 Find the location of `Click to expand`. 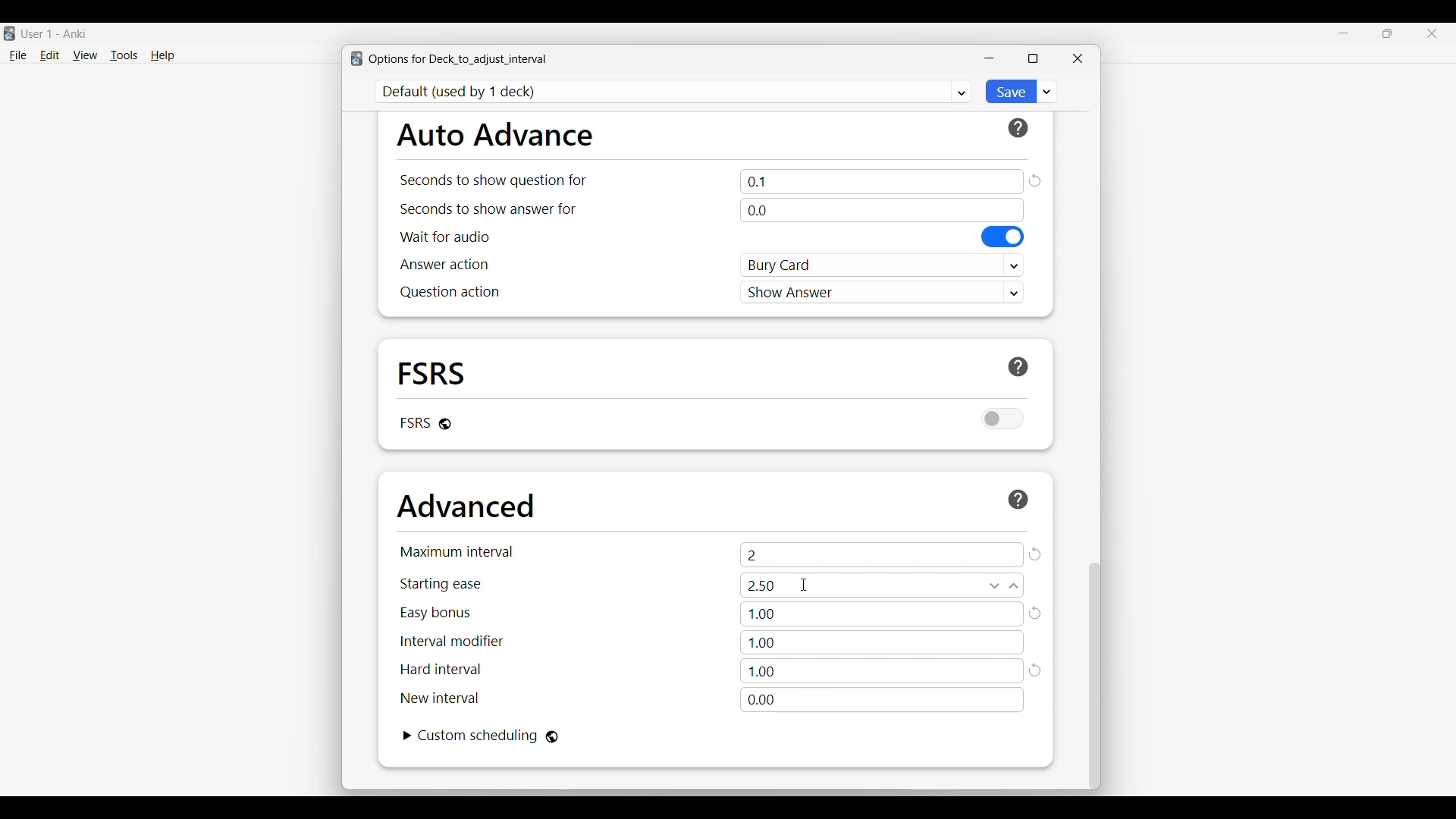

Click to expand is located at coordinates (408, 736).